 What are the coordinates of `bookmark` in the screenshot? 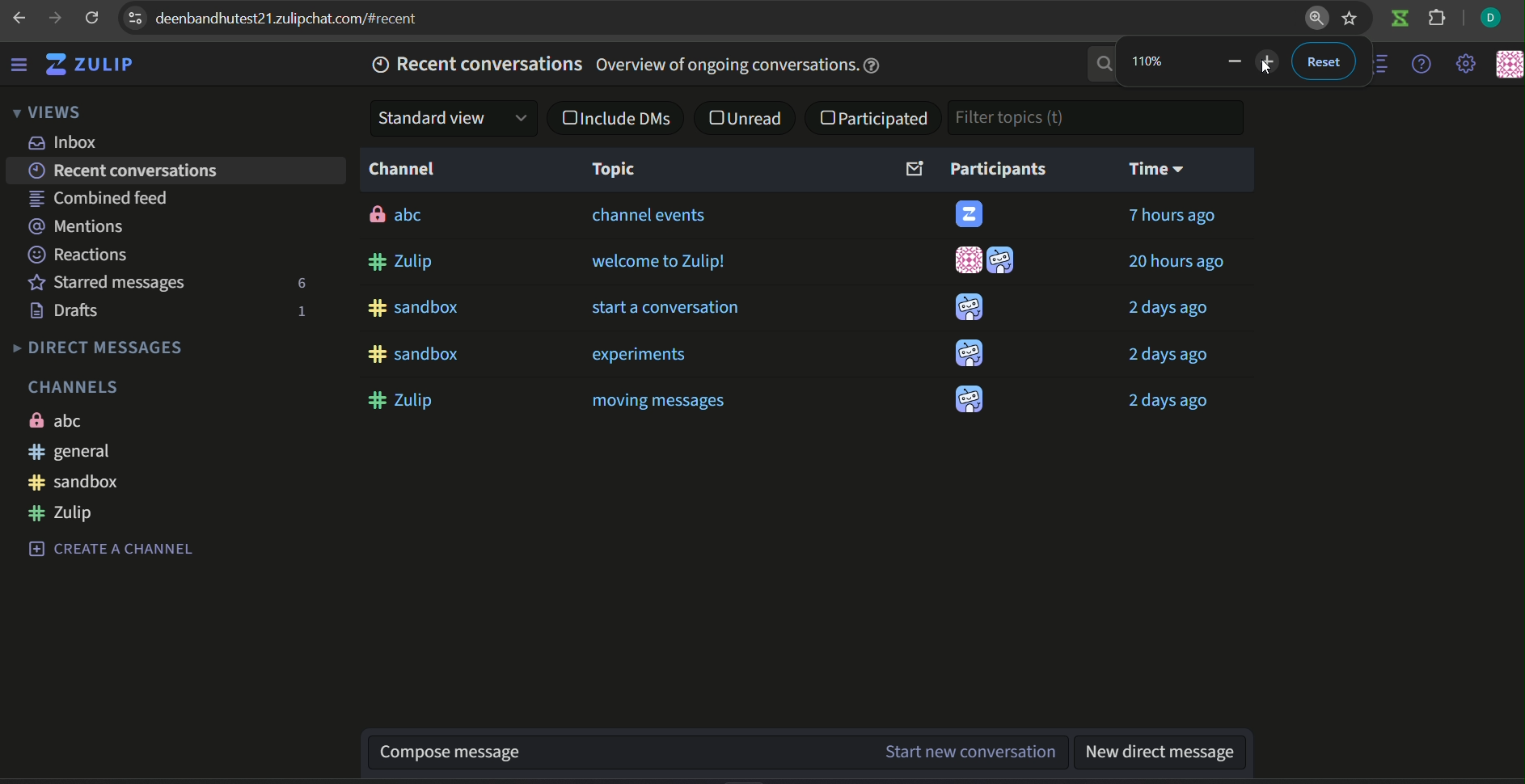 It's located at (1350, 19).